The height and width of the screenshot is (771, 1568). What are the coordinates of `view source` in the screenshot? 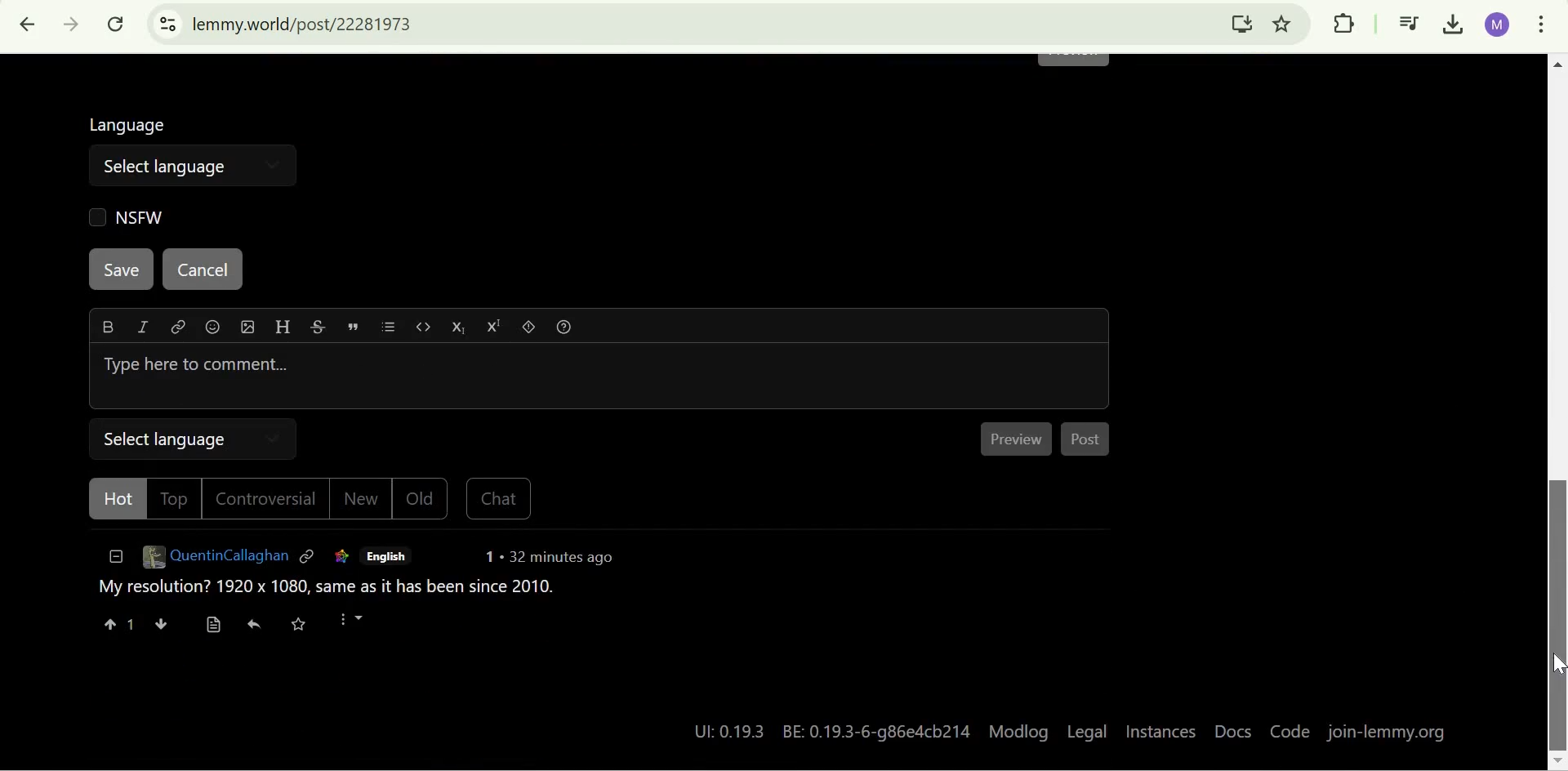 It's located at (213, 626).